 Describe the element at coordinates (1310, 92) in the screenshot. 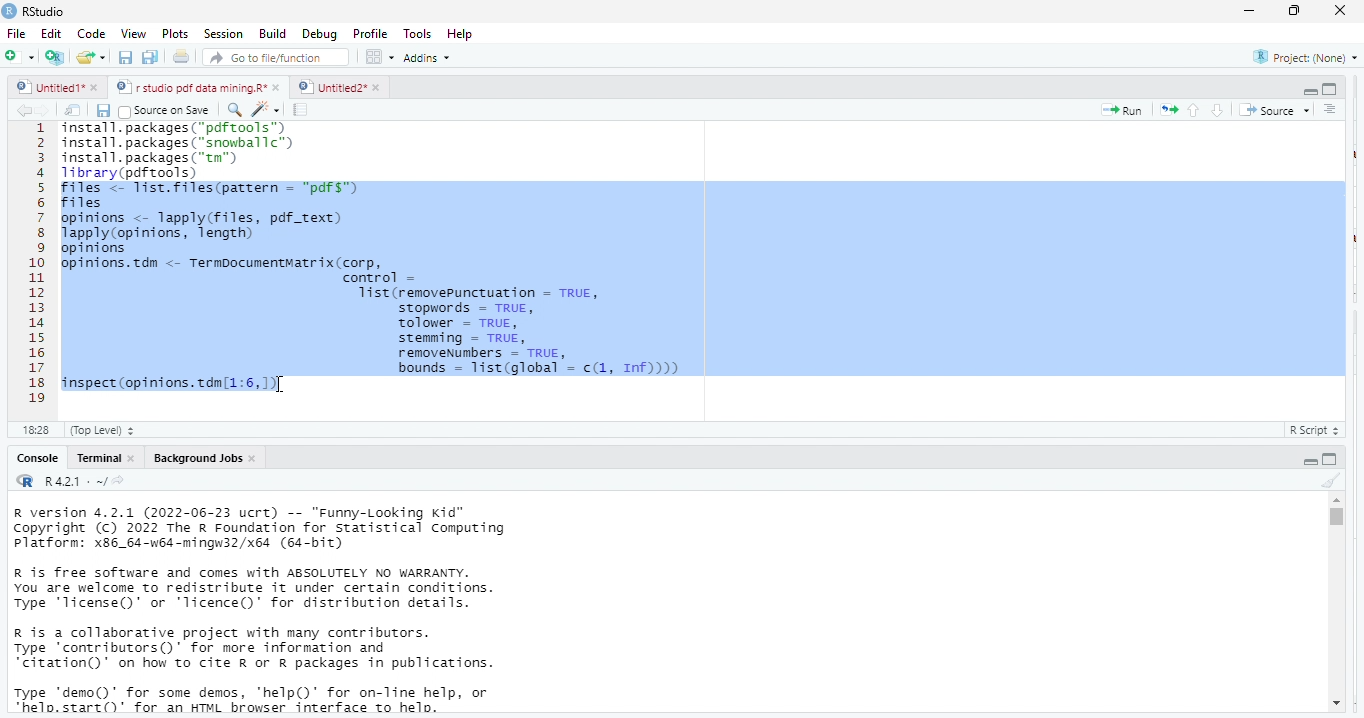

I see `hide r script` at that location.